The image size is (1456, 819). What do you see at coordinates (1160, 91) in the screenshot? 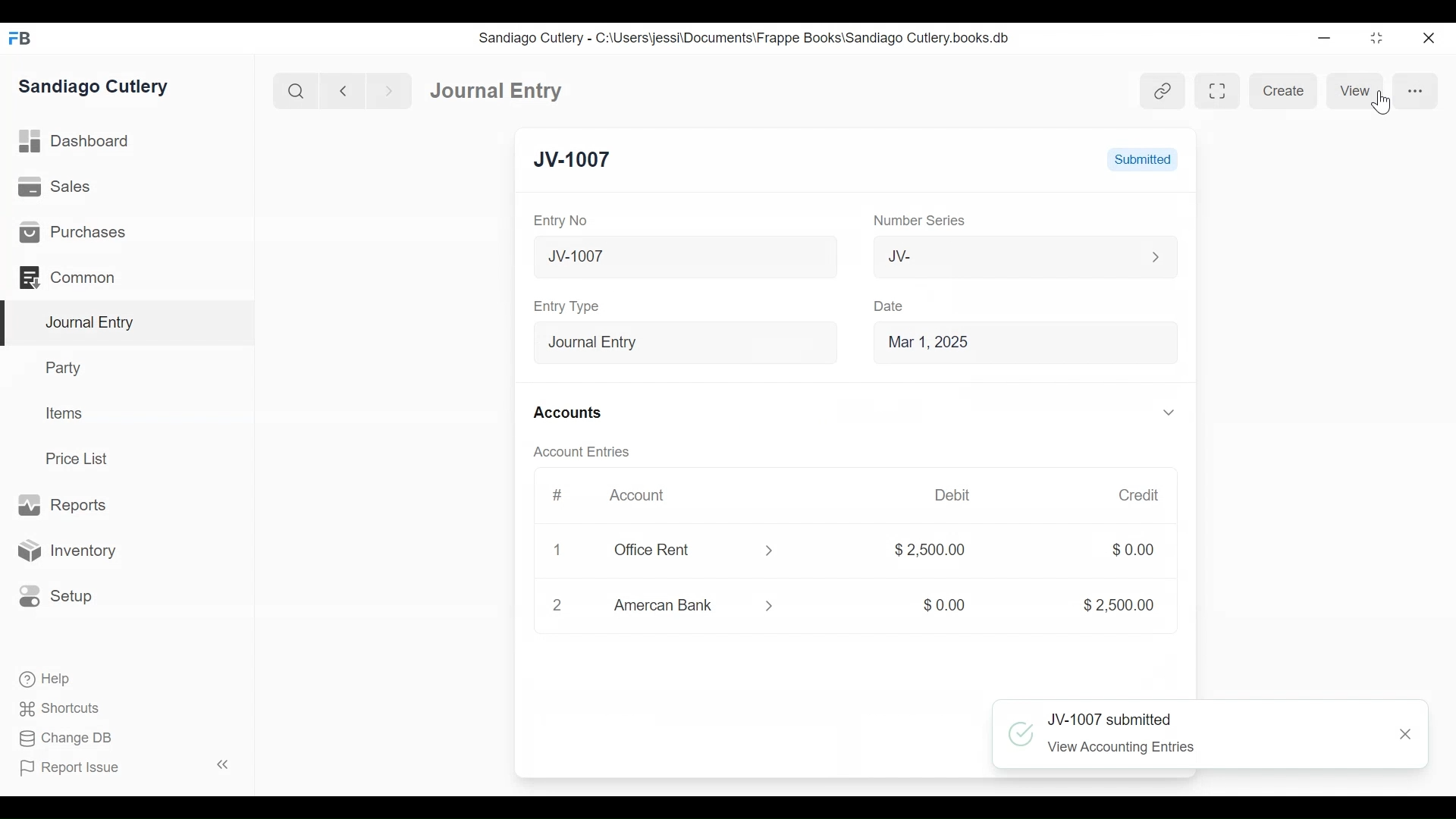
I see `view linked entries` at bounding box center [1160, 91].